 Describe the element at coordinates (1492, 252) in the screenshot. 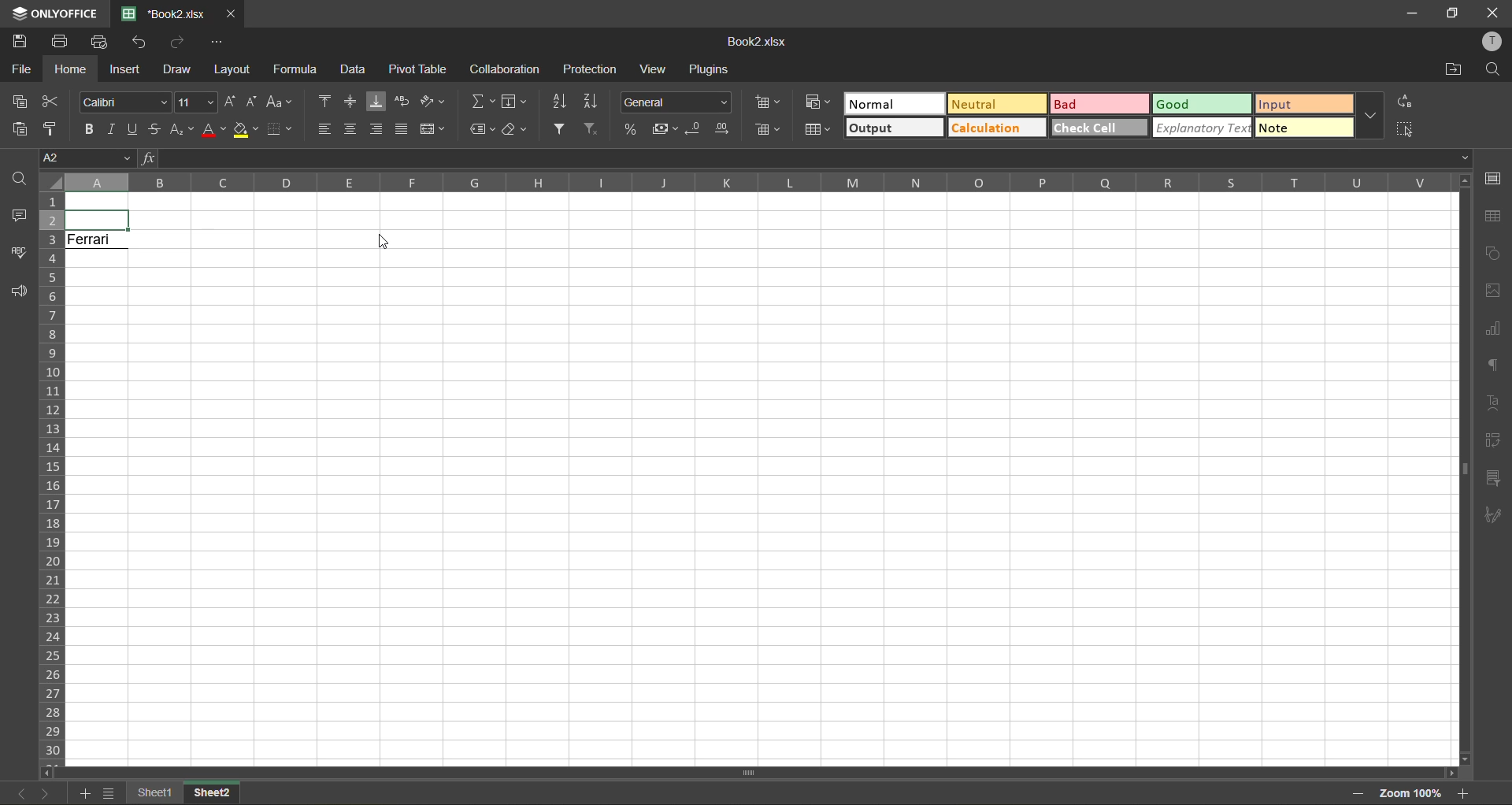

I see `shapes` at that location.